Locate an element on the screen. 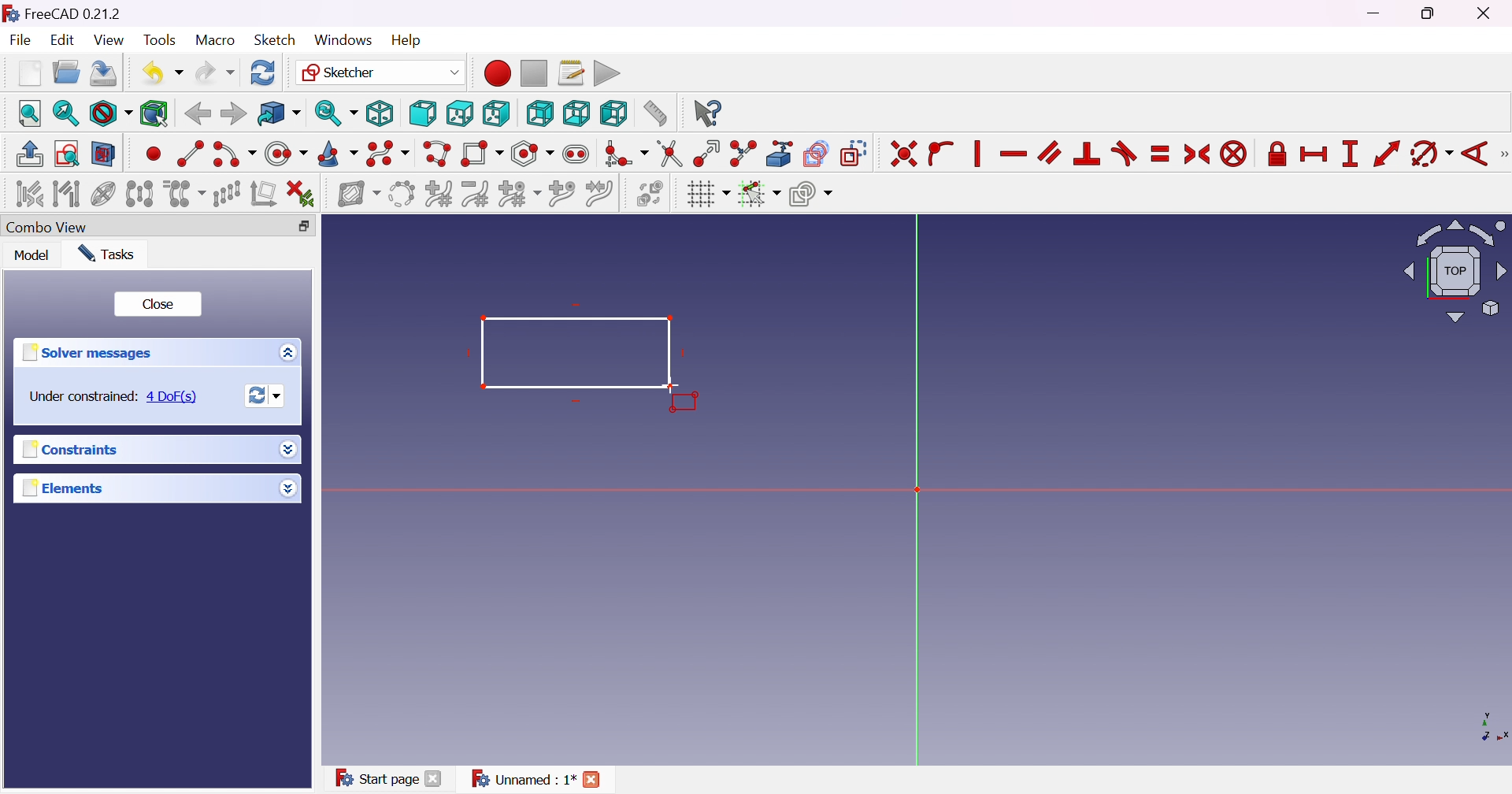 The width and height of the screenshot is (1512, 794). More options is located at coordinates (292, 352).